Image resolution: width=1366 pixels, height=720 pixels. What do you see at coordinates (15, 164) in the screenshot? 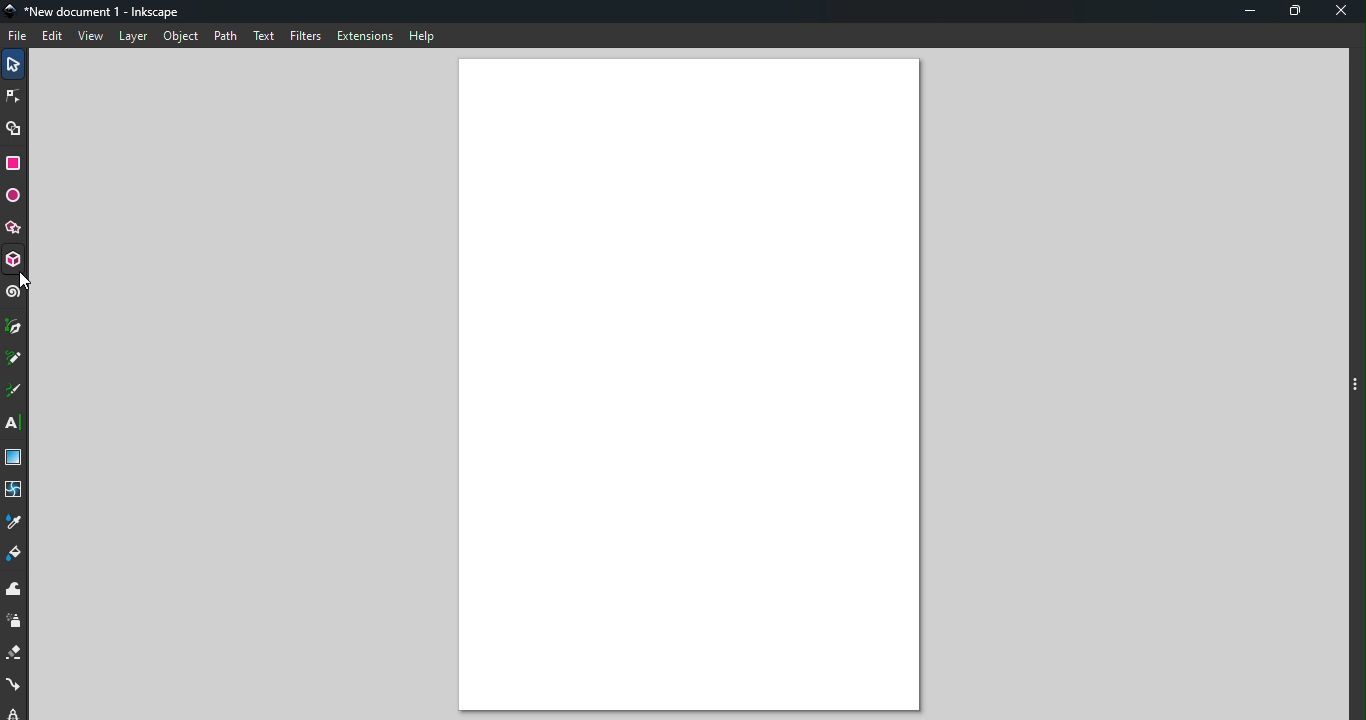
I see `Rectangle tool` at bounding box center [15, 164].